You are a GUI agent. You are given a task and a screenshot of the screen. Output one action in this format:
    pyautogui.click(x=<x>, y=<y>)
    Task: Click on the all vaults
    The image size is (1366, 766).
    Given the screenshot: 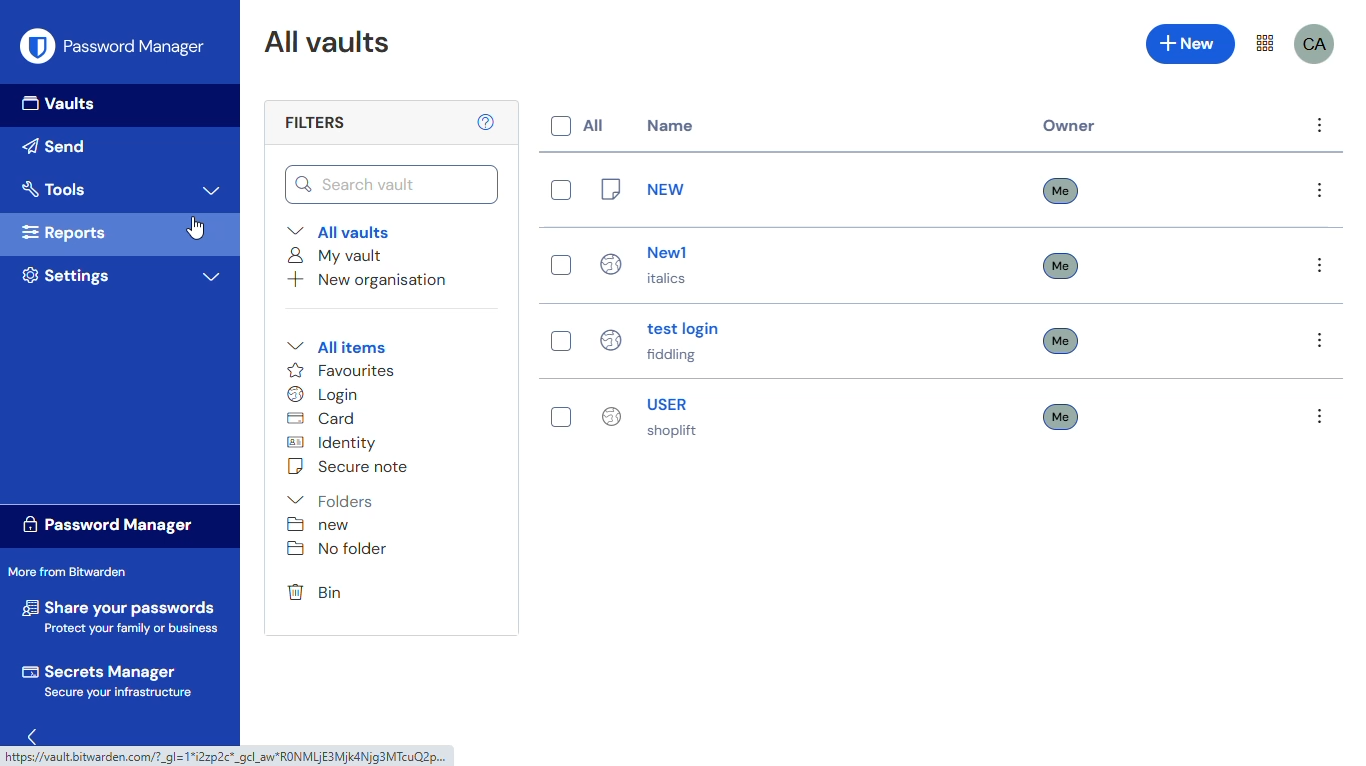 What is the action you would take?
    pyautogui.click(x=328, y=40)
    